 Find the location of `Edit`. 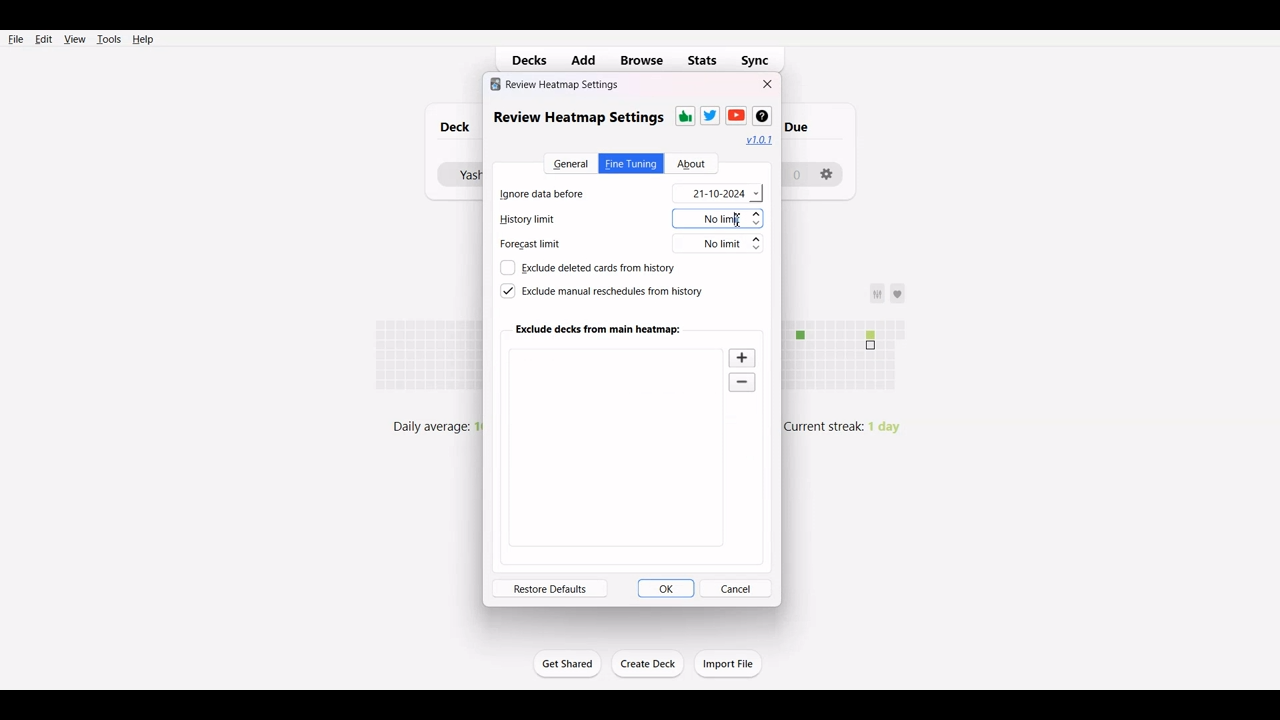

Edit is located at coordinates (43, 39).